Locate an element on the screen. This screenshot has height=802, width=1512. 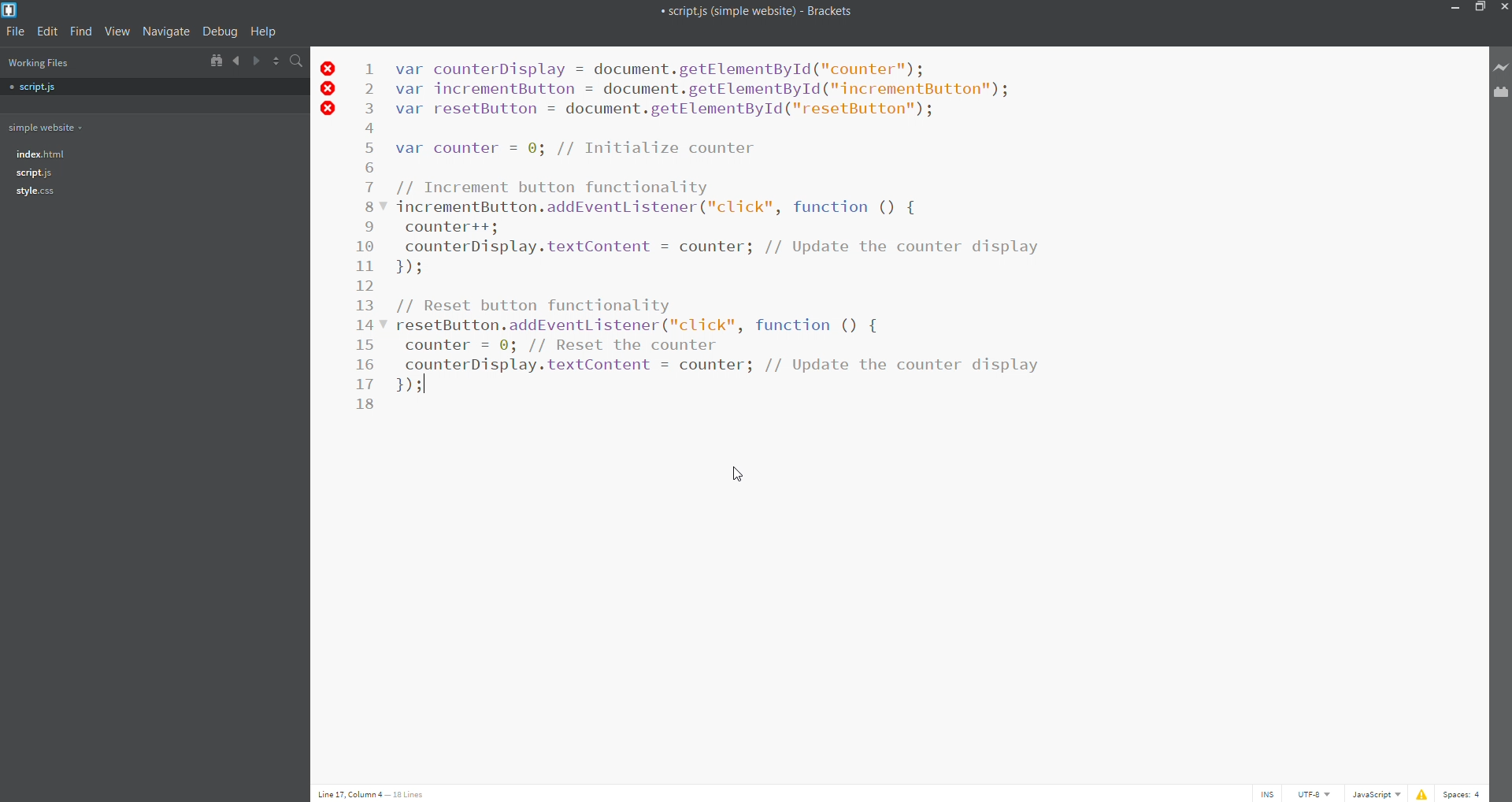
cursor is located at coordinates (734, 476).